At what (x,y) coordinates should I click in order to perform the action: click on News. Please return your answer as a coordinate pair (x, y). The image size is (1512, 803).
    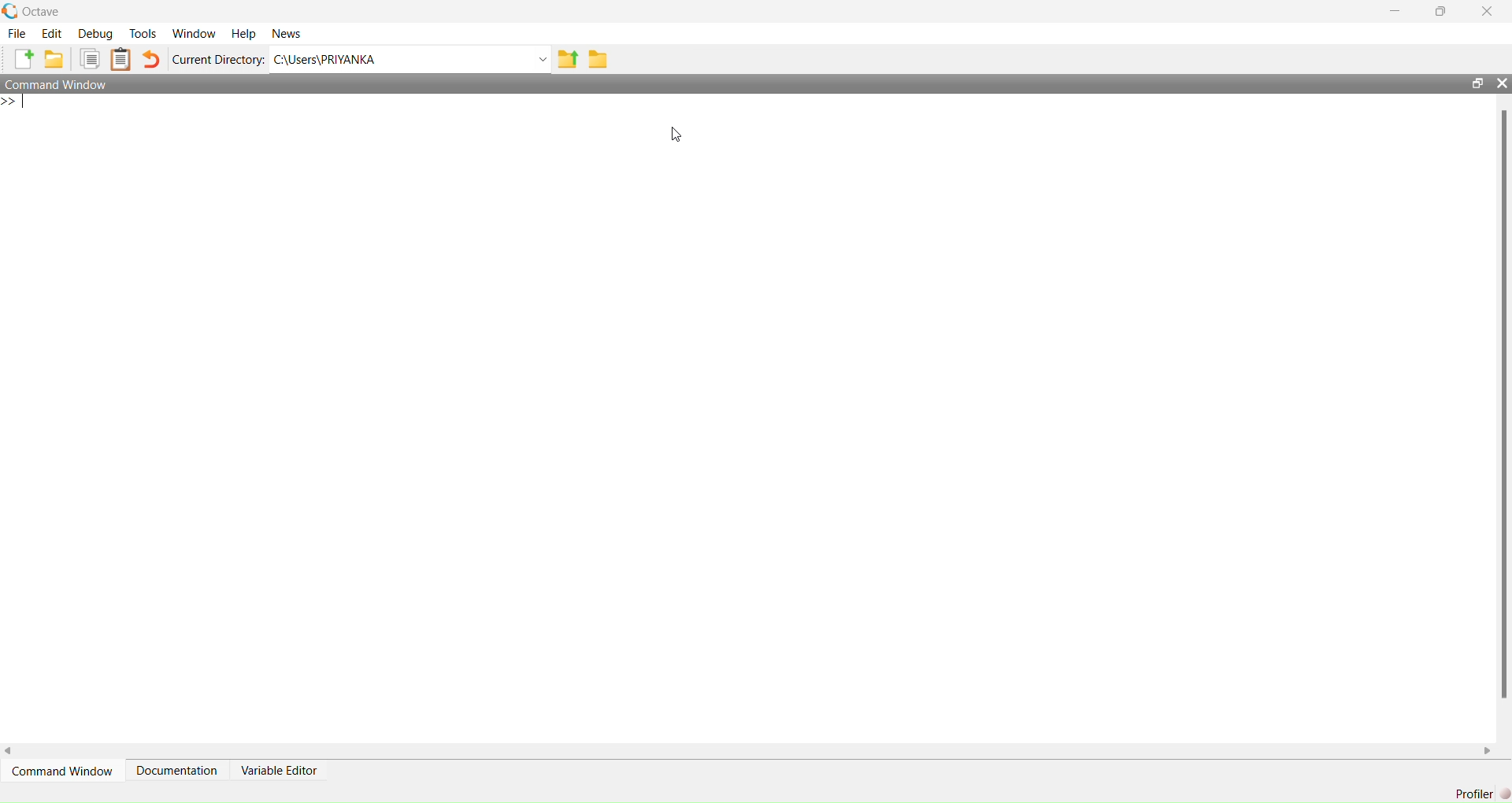
    Looking at the image, I should click on (288, 34).